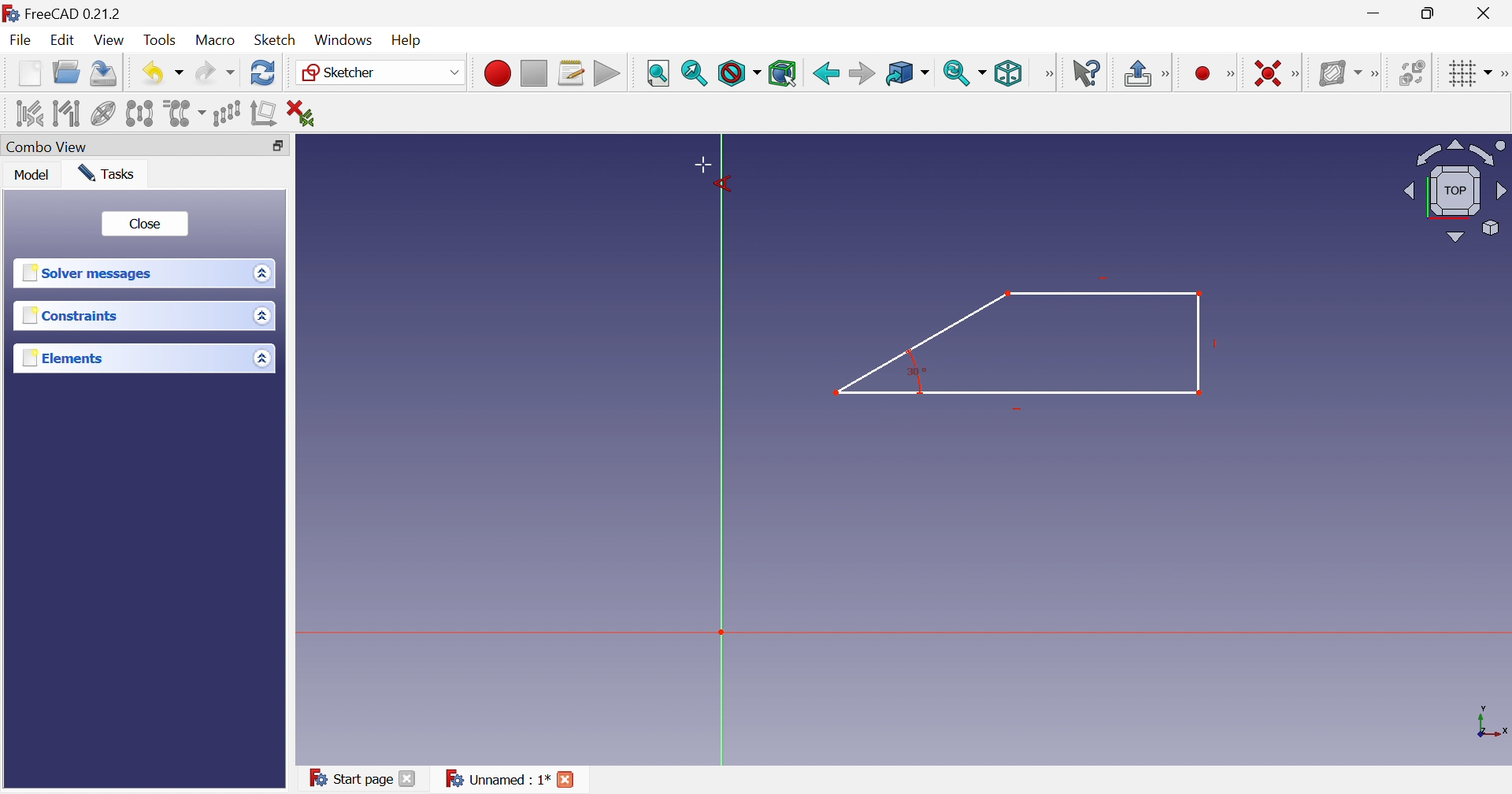 The image size is (1512, 794). Describe the element at coordinates (658, 72) in the screenshot. I see `Fit all` at that location.